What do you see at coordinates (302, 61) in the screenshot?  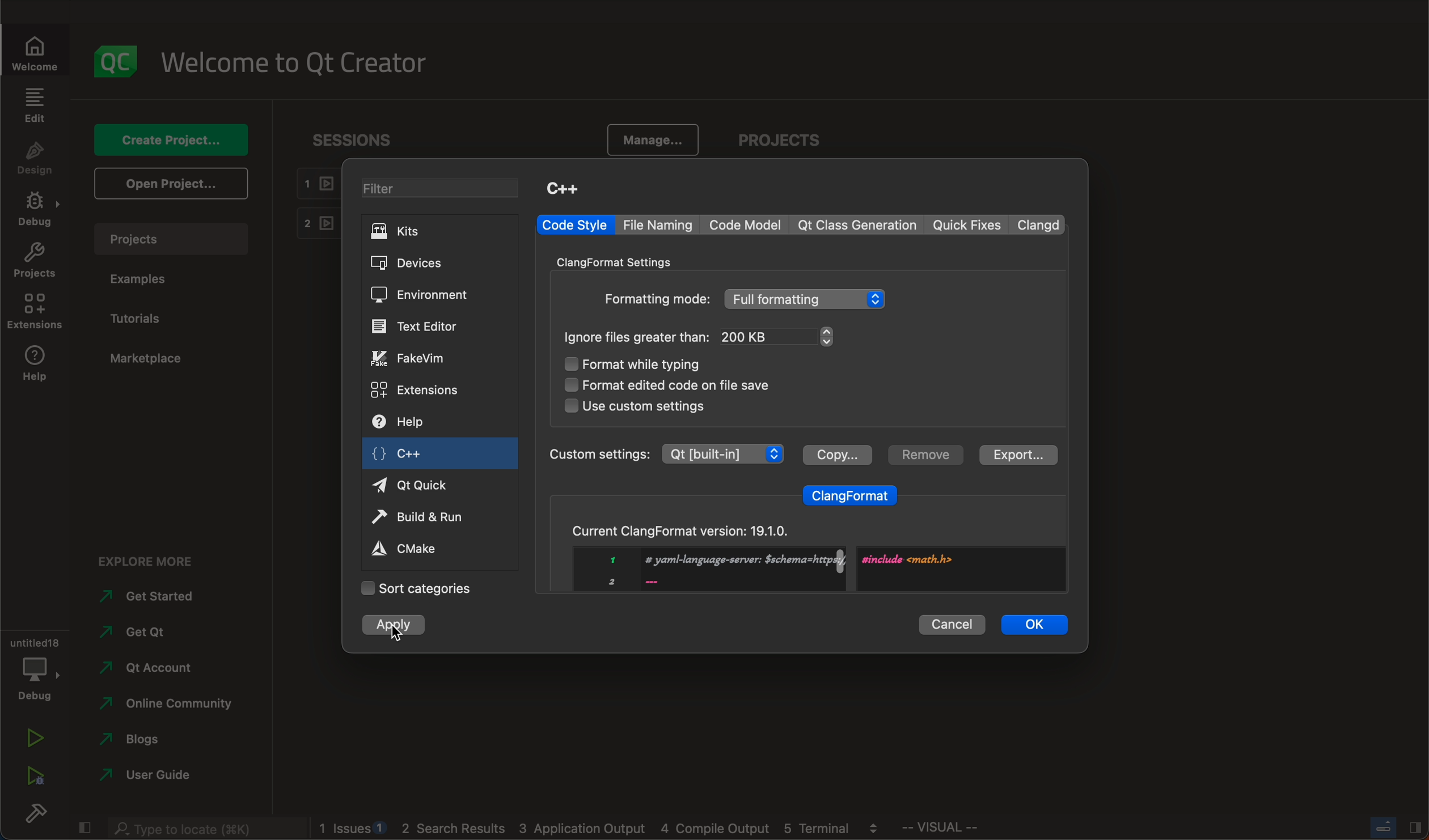 I see `welcome` at bounding box center [302, 61].